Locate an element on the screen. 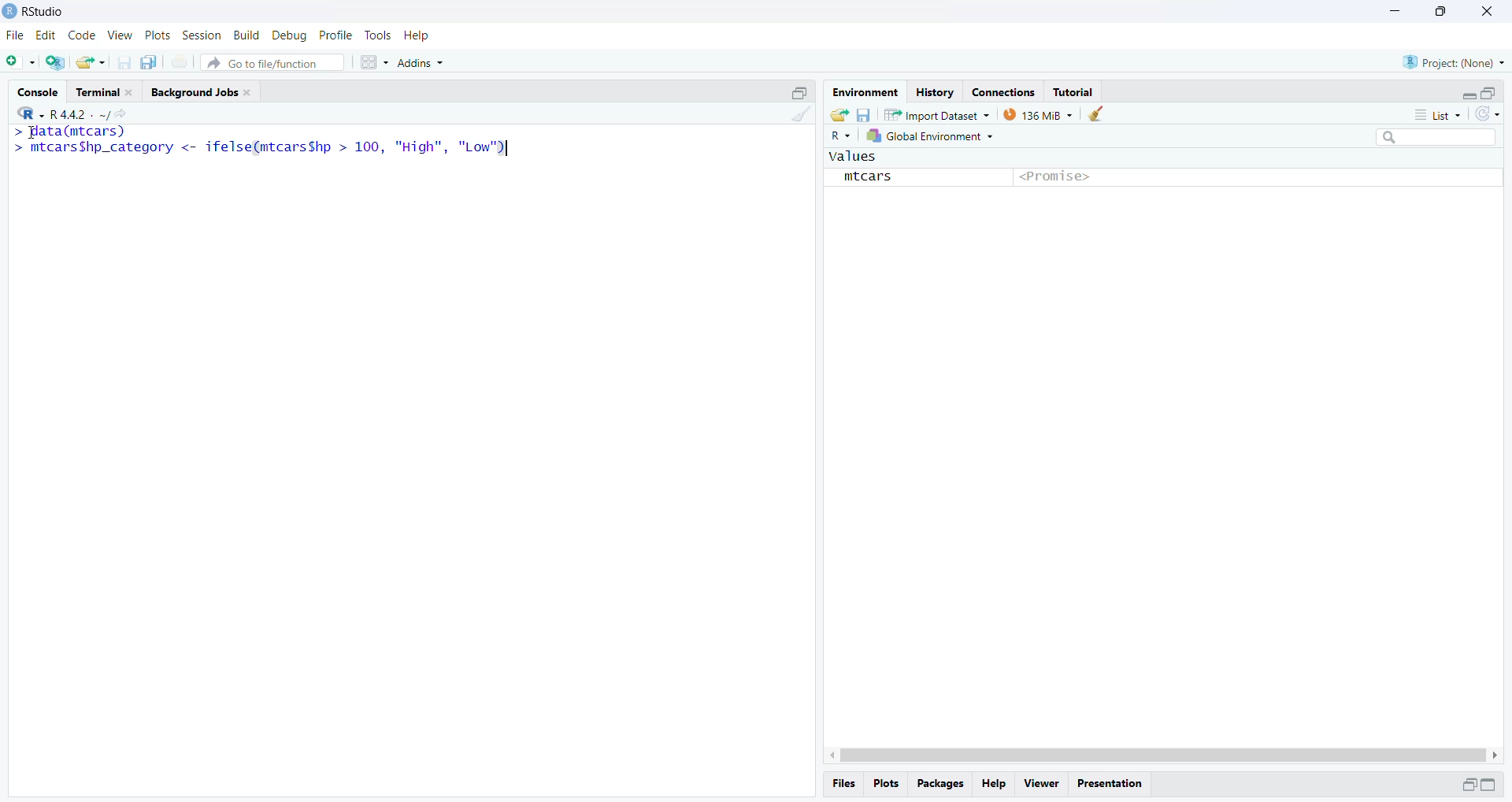 Image resolution: width=1512 pixels, height=802 pixels. Maximize is located at coordinates (801, 91).